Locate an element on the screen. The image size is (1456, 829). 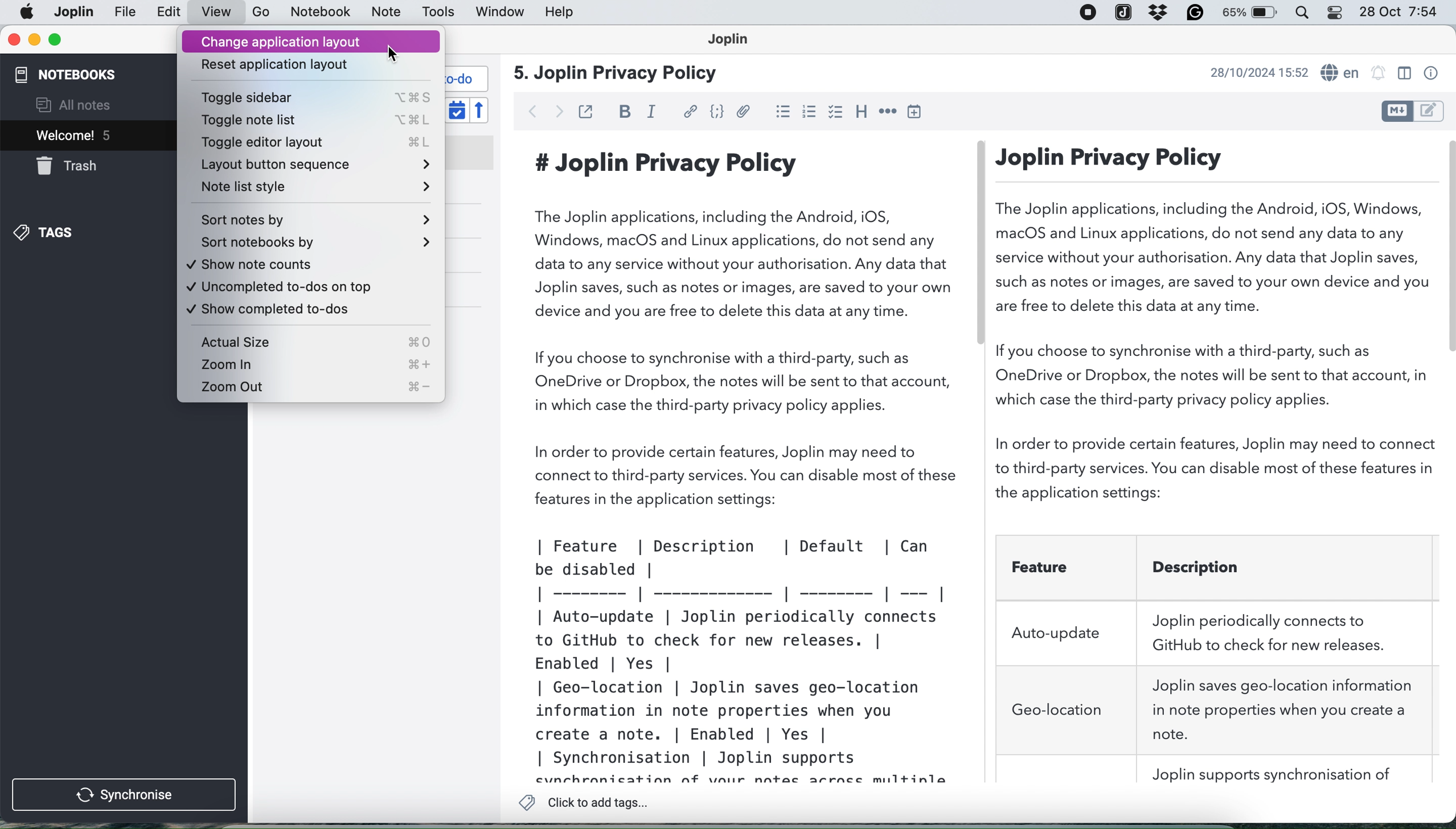
alarm is located at coordinates (1379, 74).